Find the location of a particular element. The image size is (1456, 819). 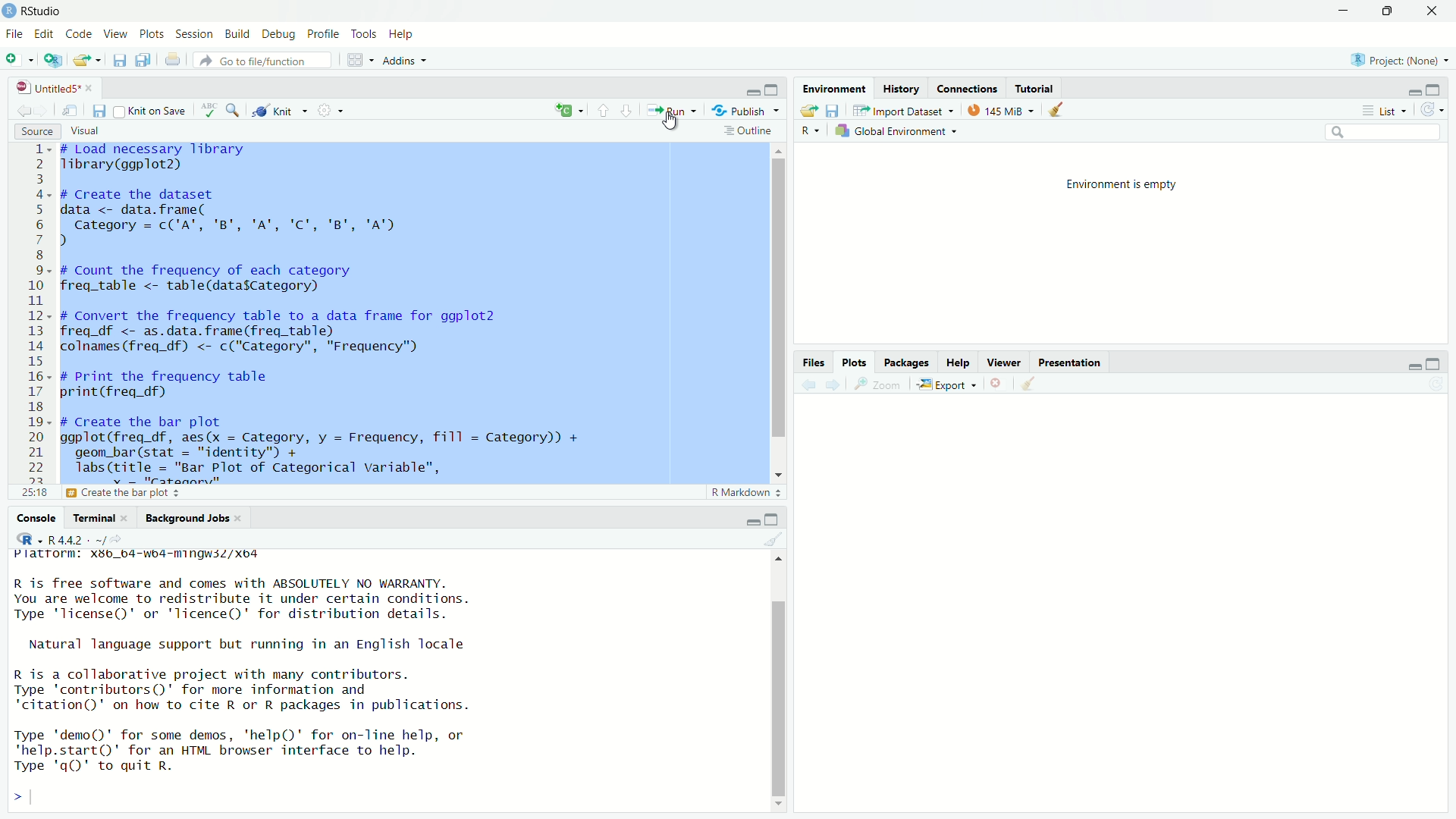

plots is located at coordinates (152, 35).